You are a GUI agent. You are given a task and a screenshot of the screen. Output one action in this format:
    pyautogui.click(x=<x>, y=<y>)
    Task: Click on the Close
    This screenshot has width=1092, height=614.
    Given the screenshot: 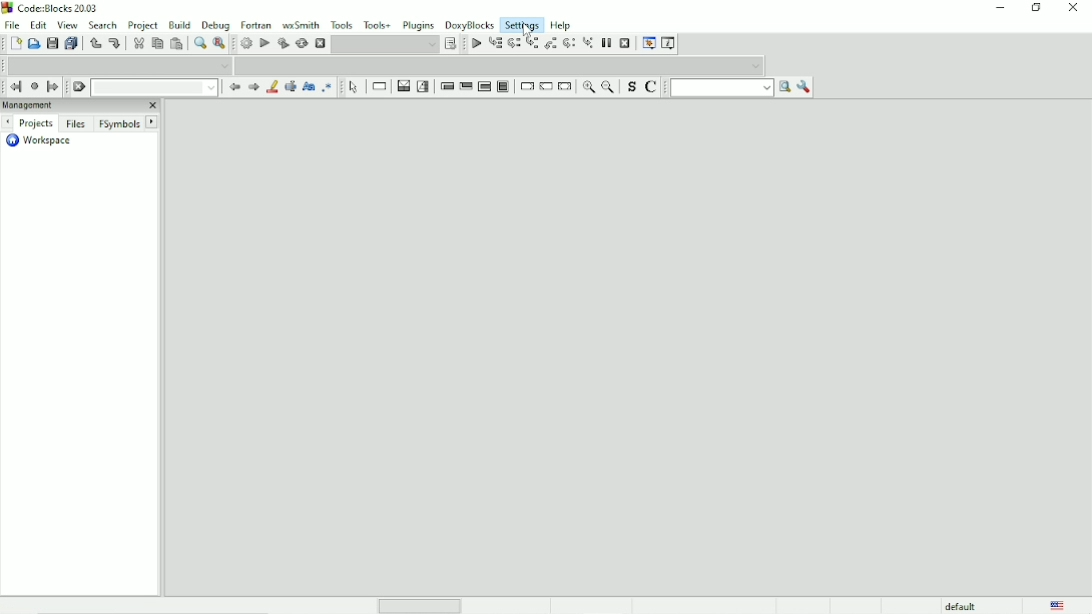 What is the action you would take?
    pyautogui.click(x=1073, y=8)
    